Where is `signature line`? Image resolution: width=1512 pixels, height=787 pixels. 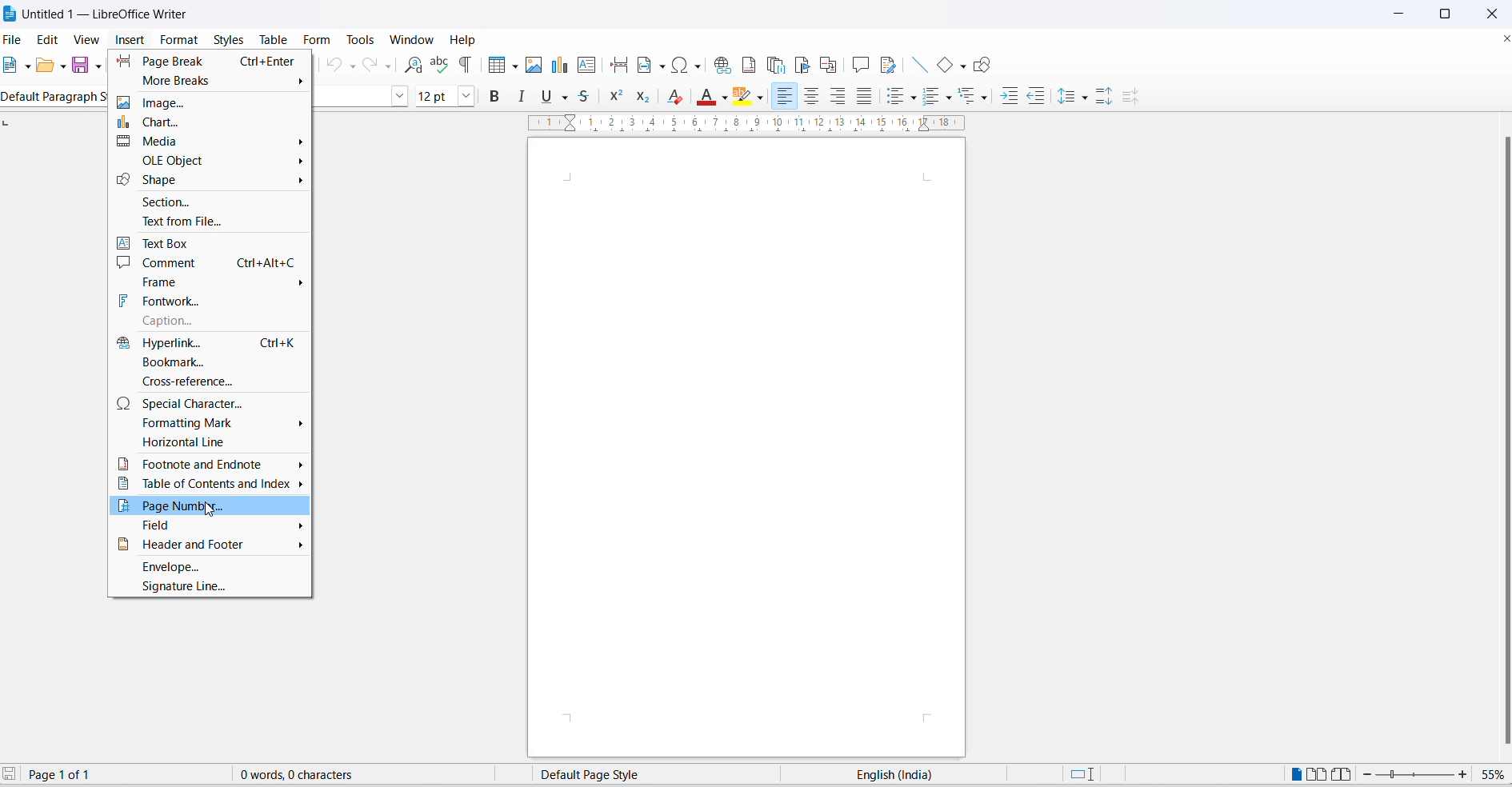
signature line is located at coordinates (209, 589).